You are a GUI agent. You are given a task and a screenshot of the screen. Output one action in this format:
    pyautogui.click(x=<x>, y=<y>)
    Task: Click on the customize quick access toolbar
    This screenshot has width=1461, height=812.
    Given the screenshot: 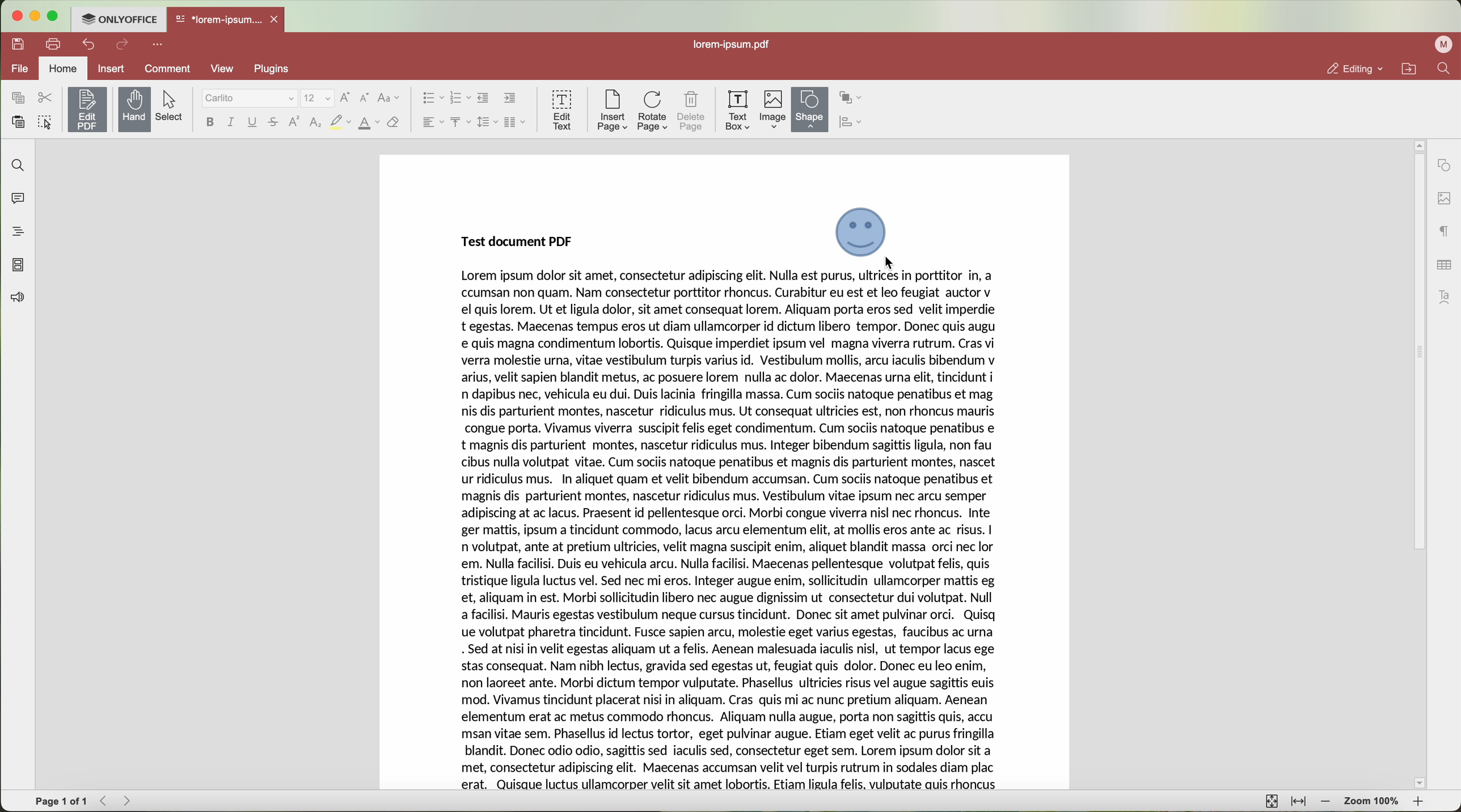 What is the action you would take?
    pyautogui.click(x=160, y=45)
    